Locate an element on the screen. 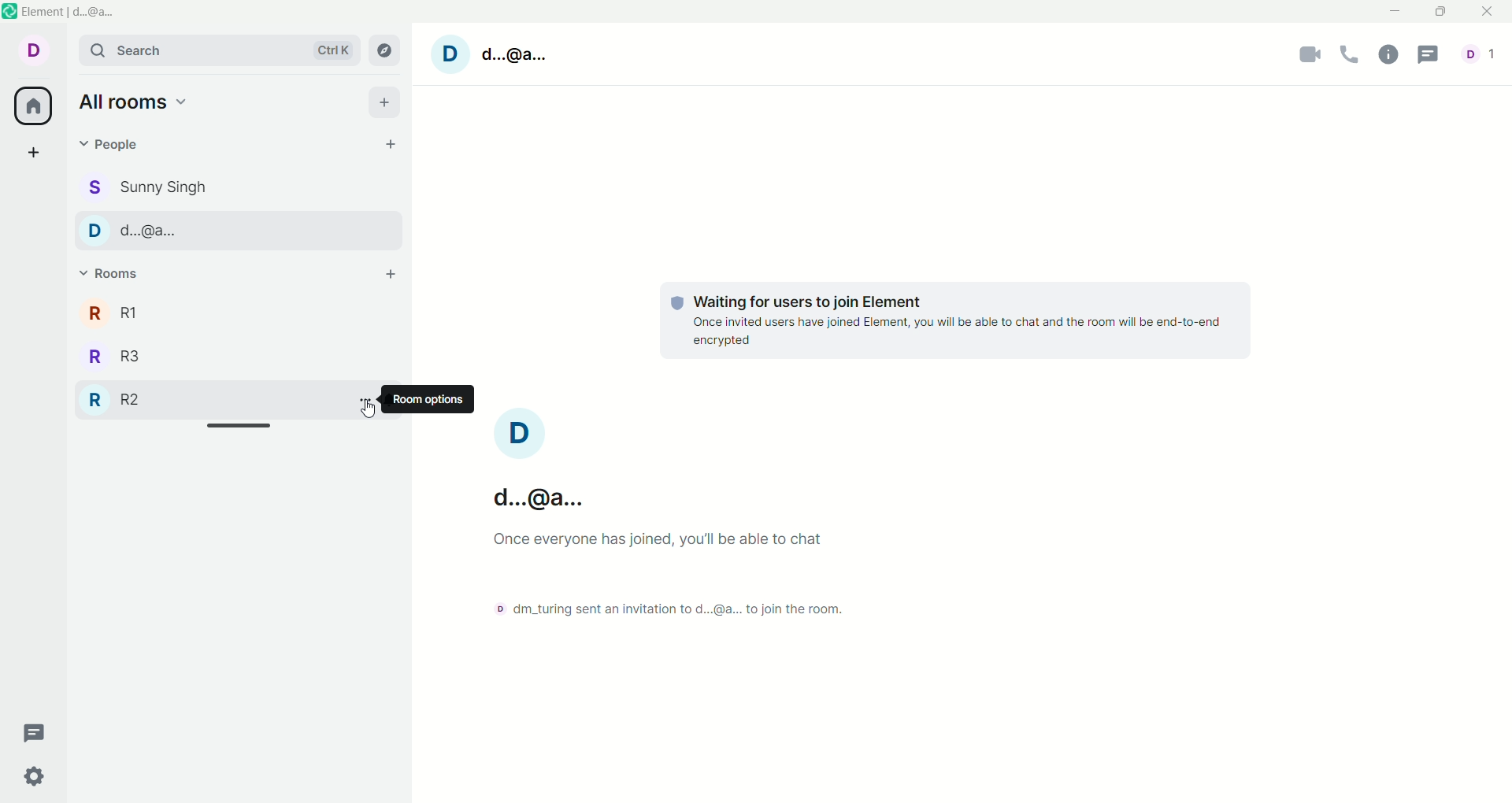 The width and height of the screenshot is (1512, 803). settings is located at coordinates (34, 778).